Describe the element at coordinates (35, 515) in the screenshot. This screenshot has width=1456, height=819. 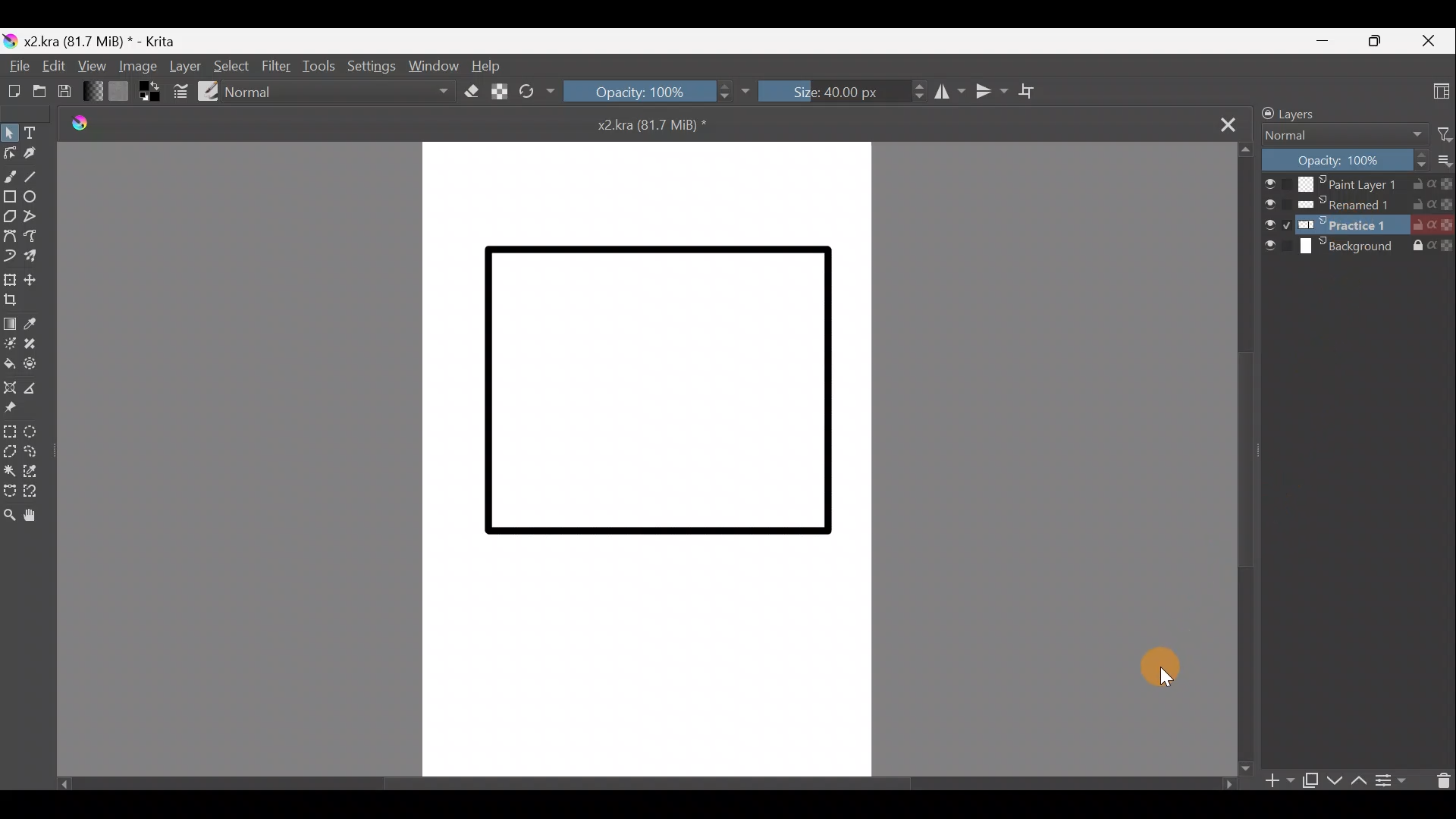
I see `Pan tool` at that location.